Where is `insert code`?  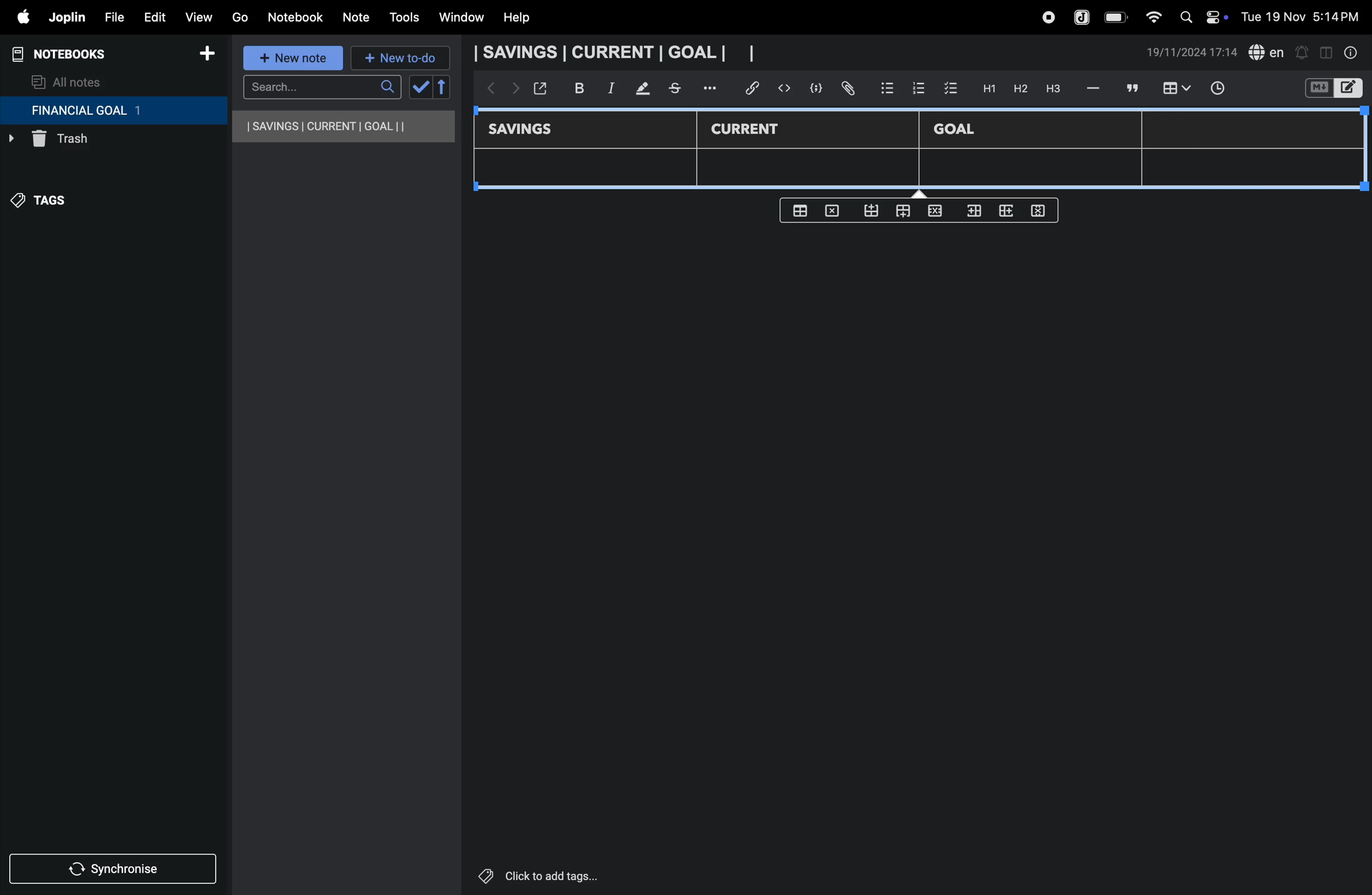
insert code is located at coordinates (785, 88).